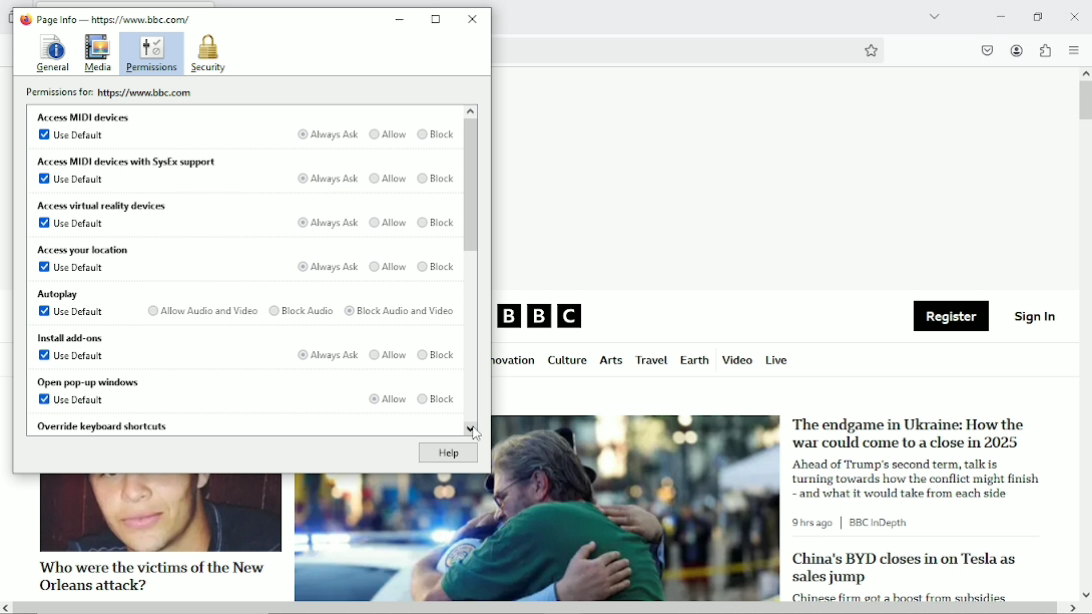  What do you see at coordinates (436, 355) in the screenshot?
I see `Block` at bounding box center [436, 355].